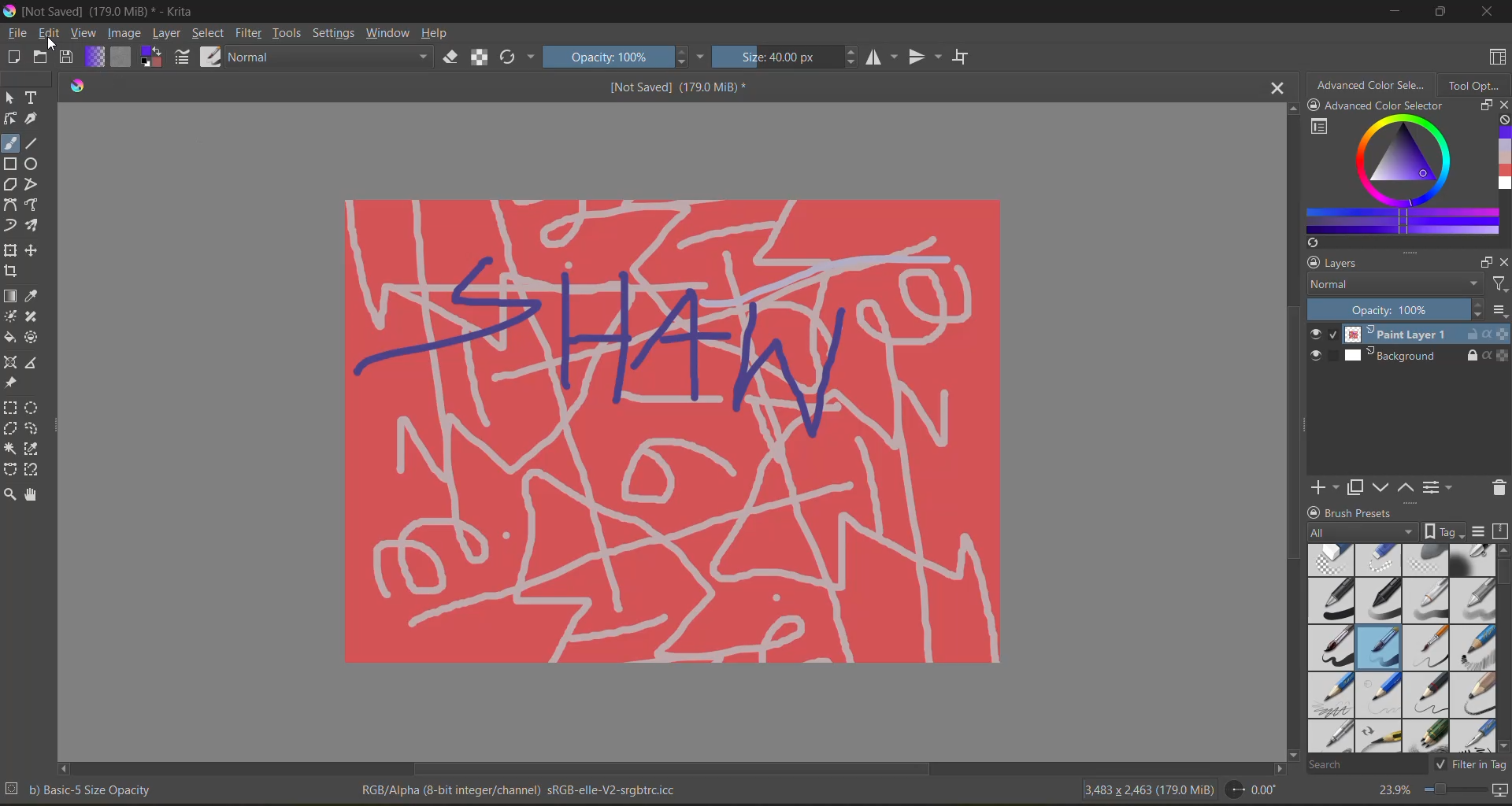  What do you see at coordinates (1277, 87) in the screenshot?
I see `close tab` at bounding box center [1277, 87].